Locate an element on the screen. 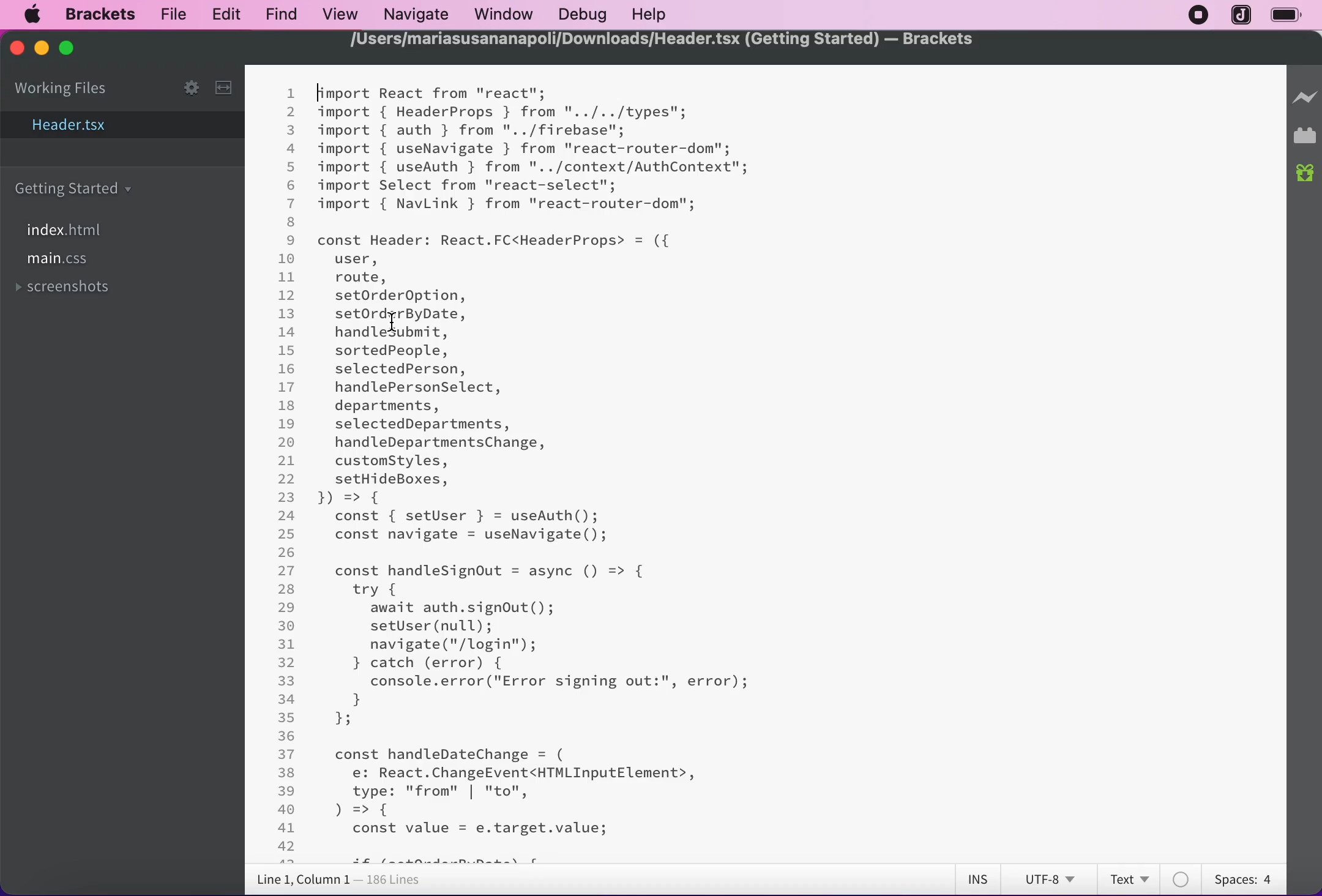  9 is located at coordinates (290, 240).